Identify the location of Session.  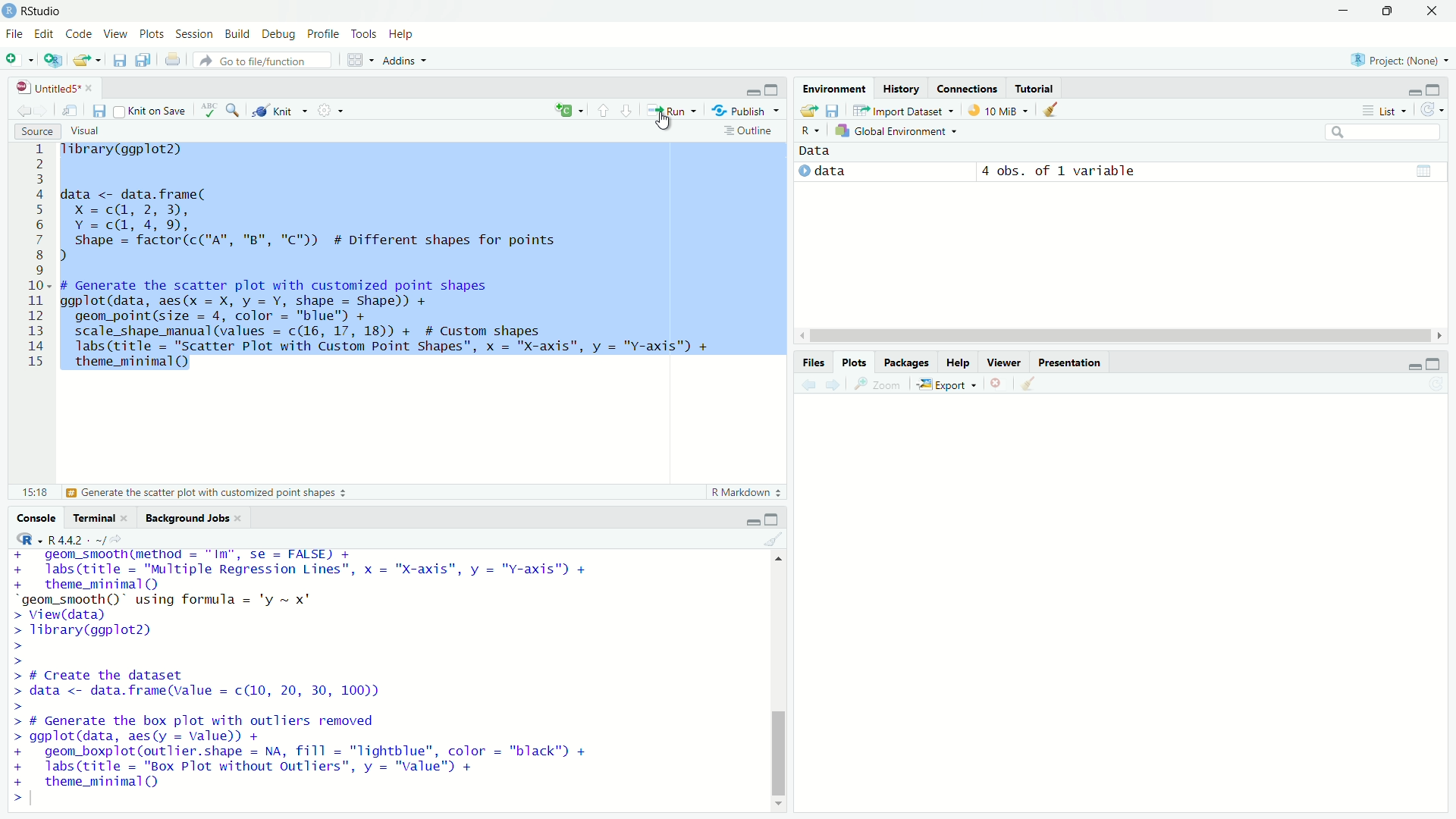
(193, 34).